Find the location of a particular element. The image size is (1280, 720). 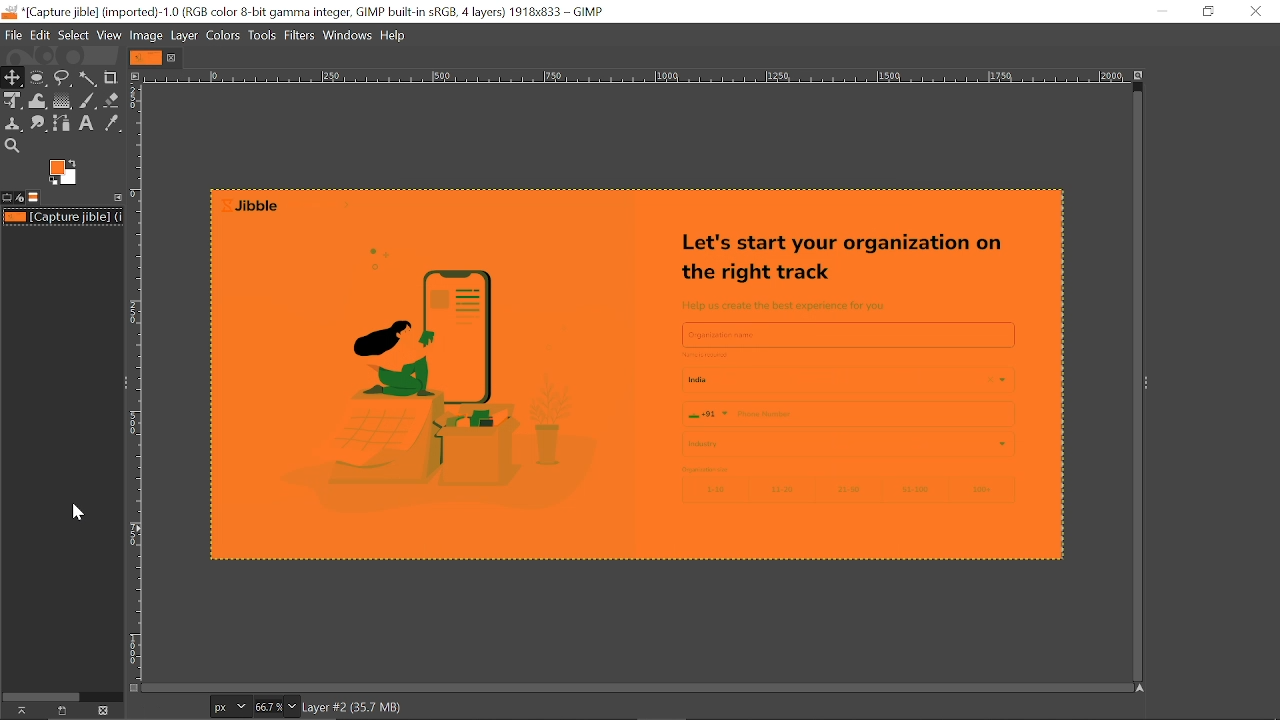

Windows is located at coordinates (349, 34).